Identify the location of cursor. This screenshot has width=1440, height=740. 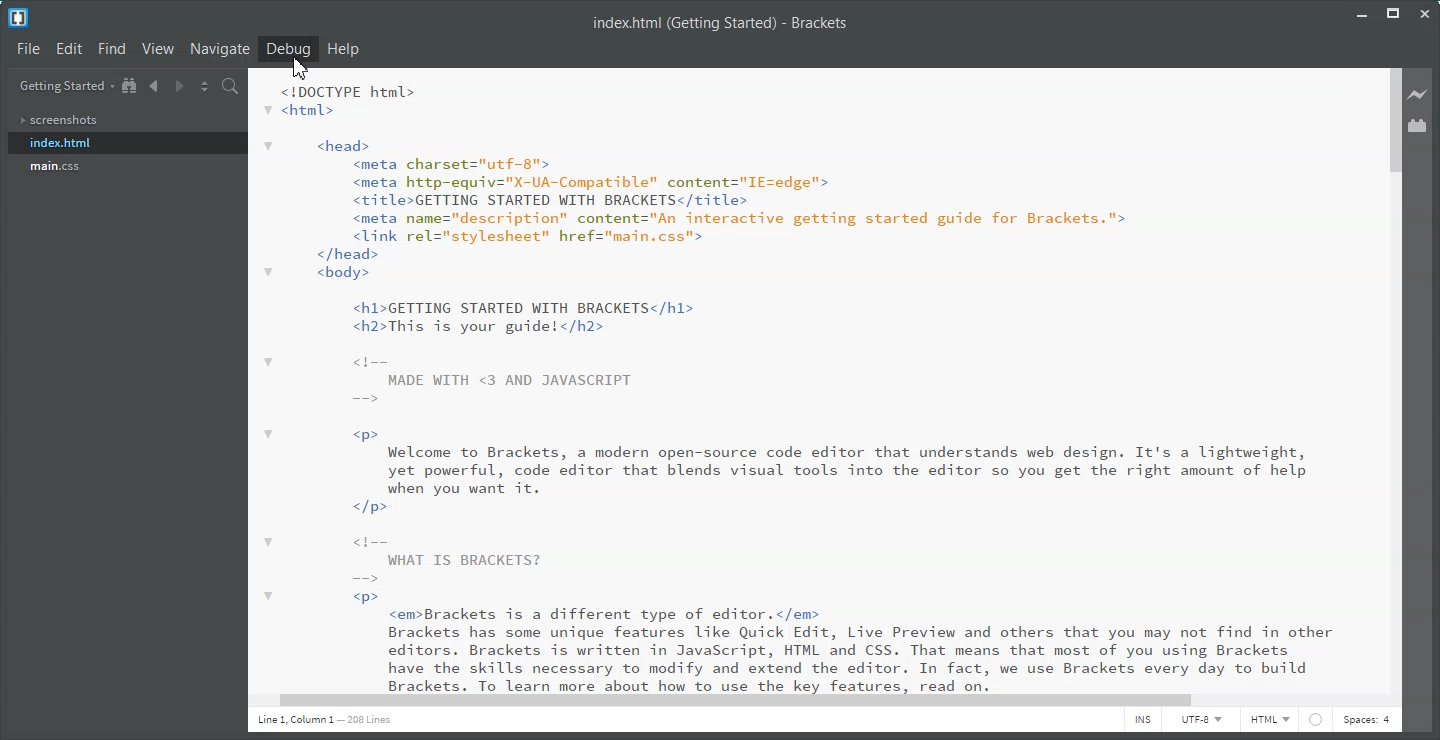
(300, 72).